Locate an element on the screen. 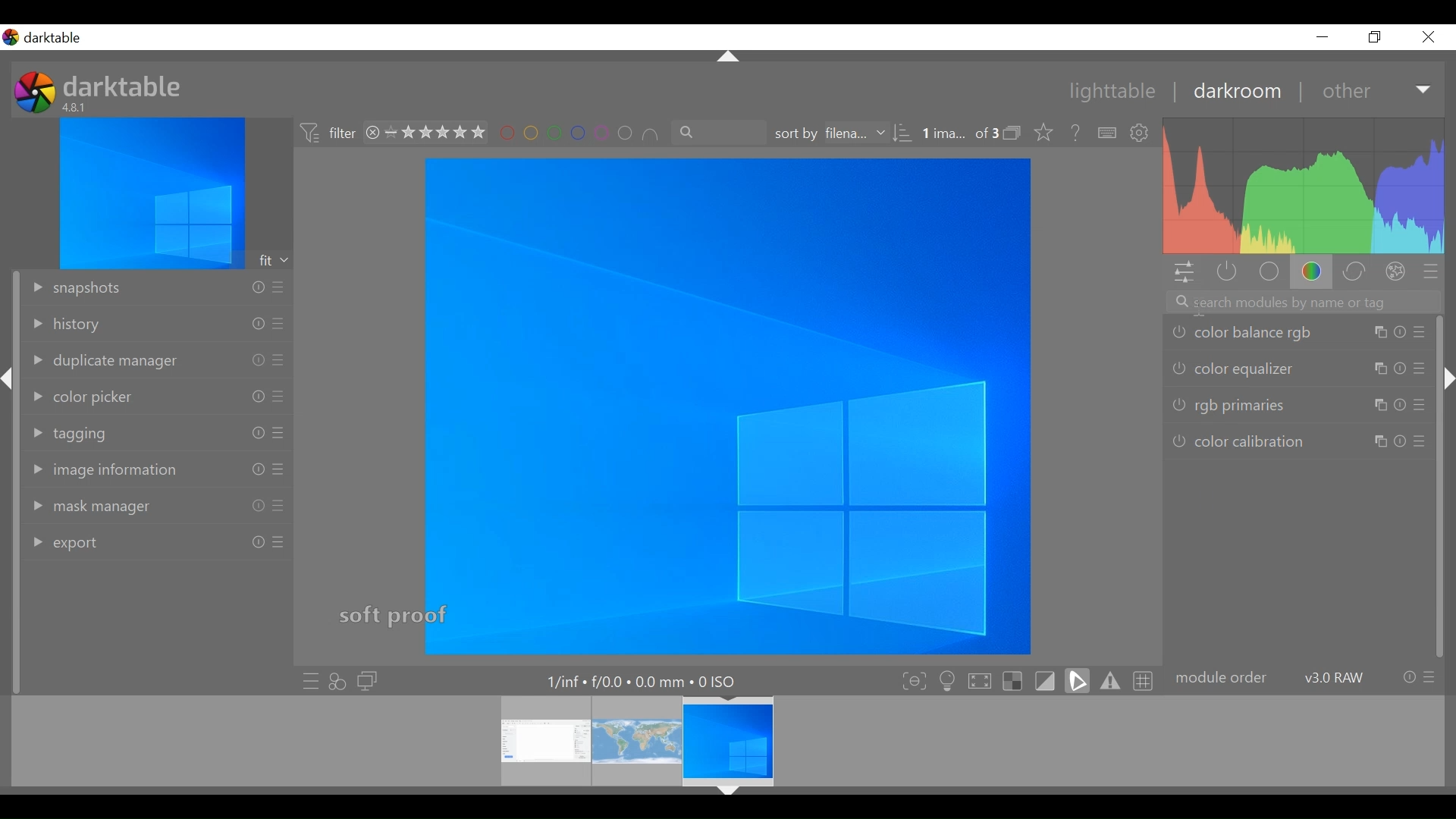 This screenshot has height=819, width=1456. color picker is located at coordinates (81, 398).